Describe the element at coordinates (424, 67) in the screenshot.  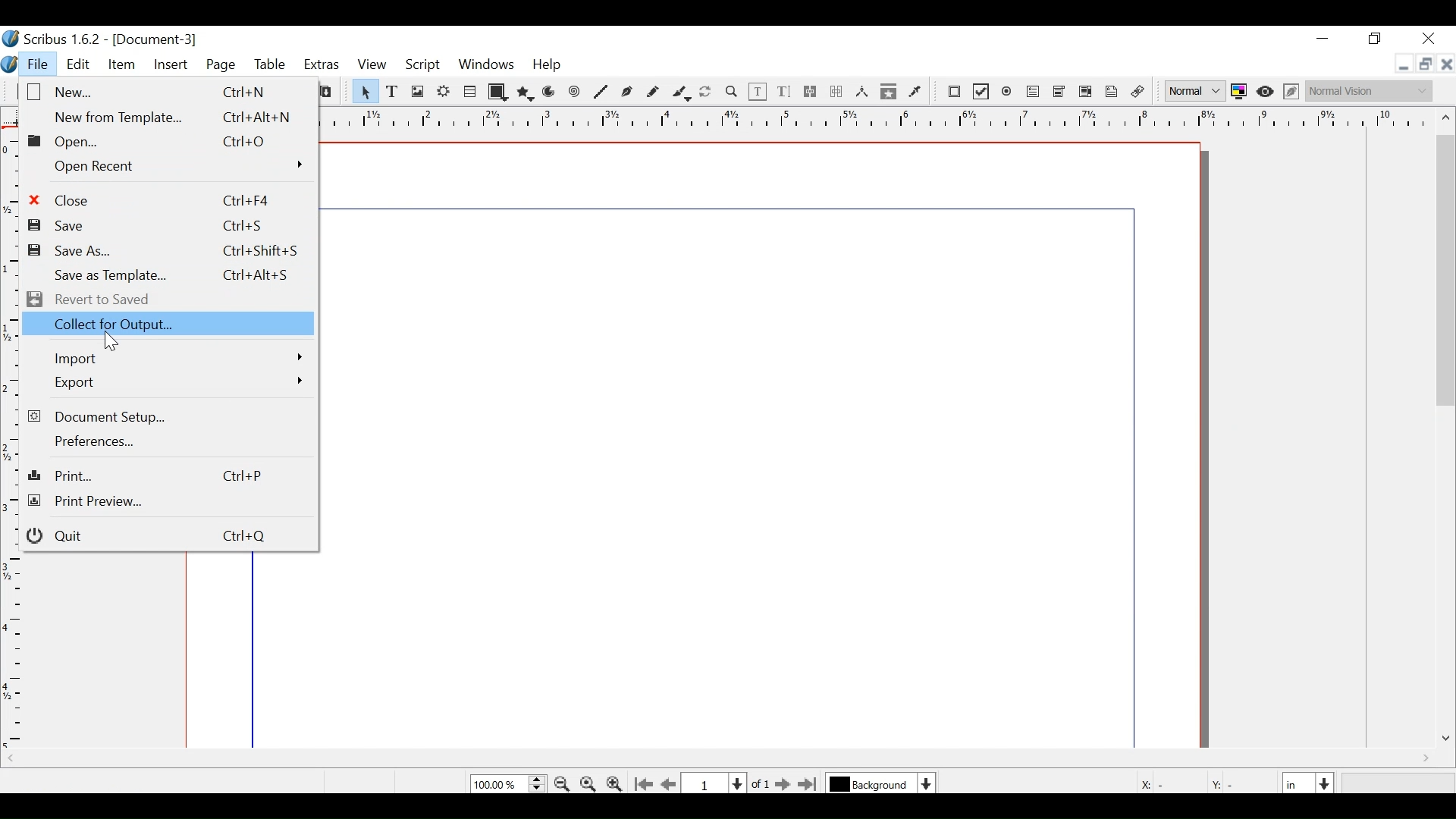
I see `Script` at that location.